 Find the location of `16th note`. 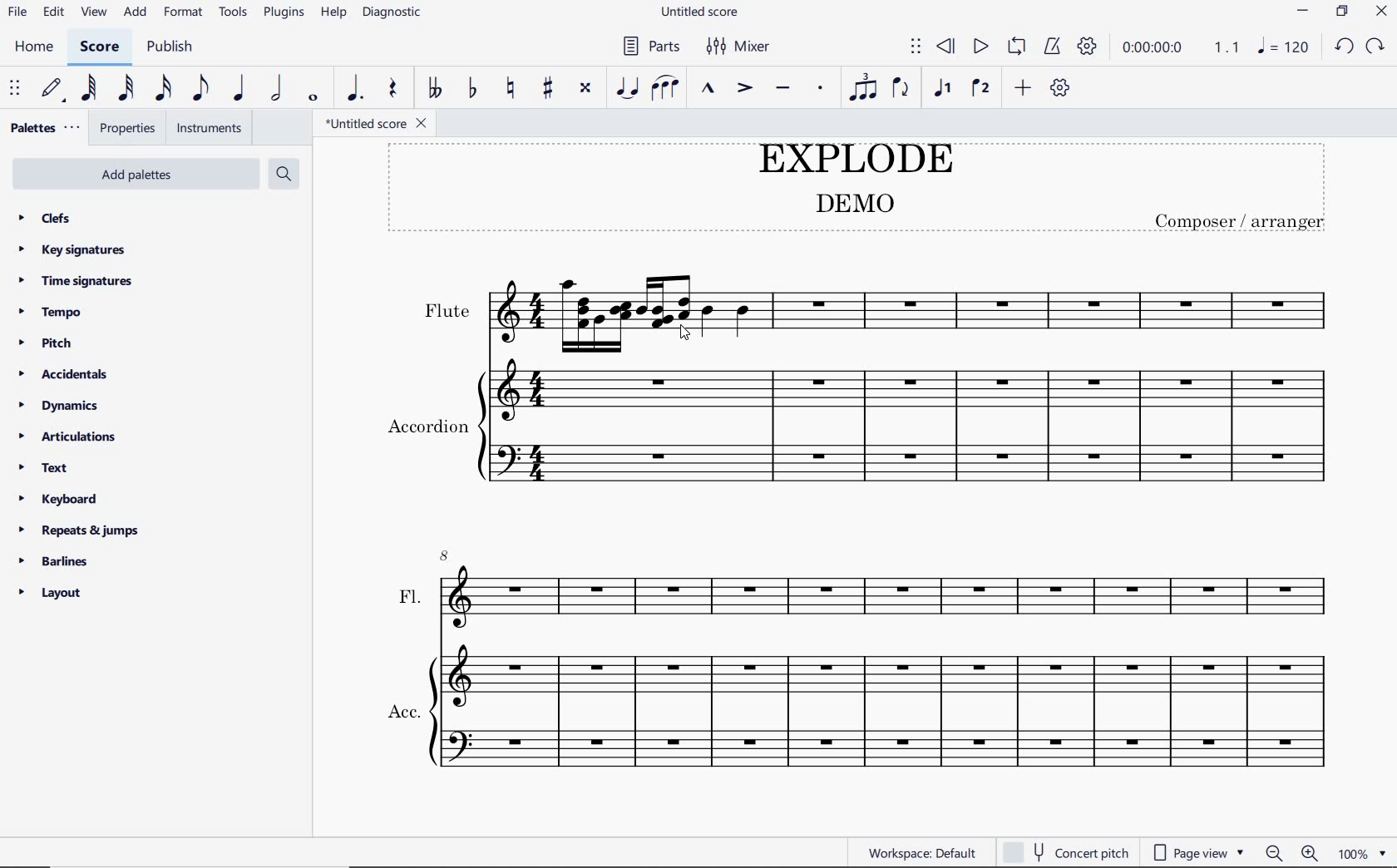

16th note is located at coordinates (165, 90).